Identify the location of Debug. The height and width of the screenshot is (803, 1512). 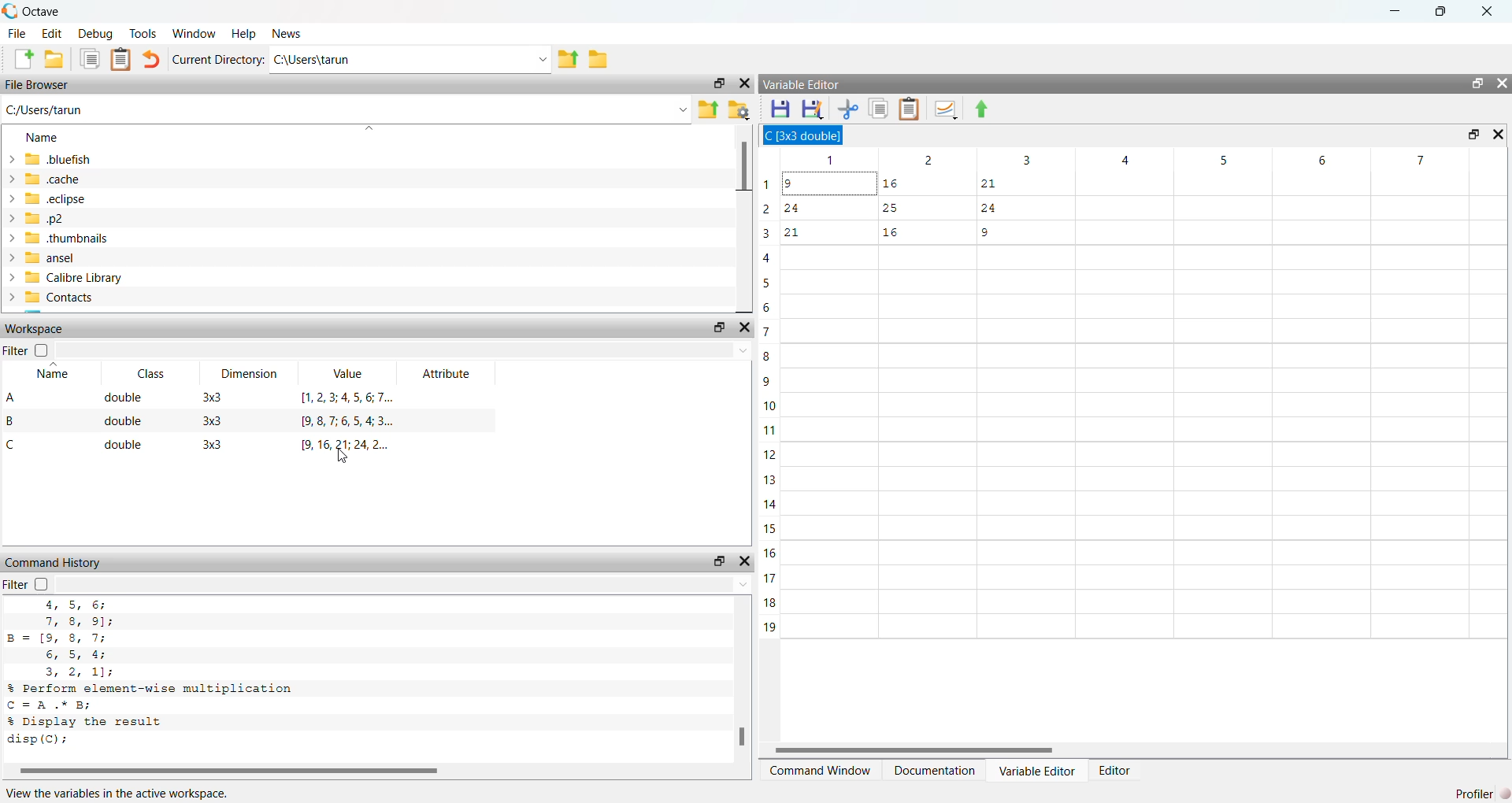
(93, 34).